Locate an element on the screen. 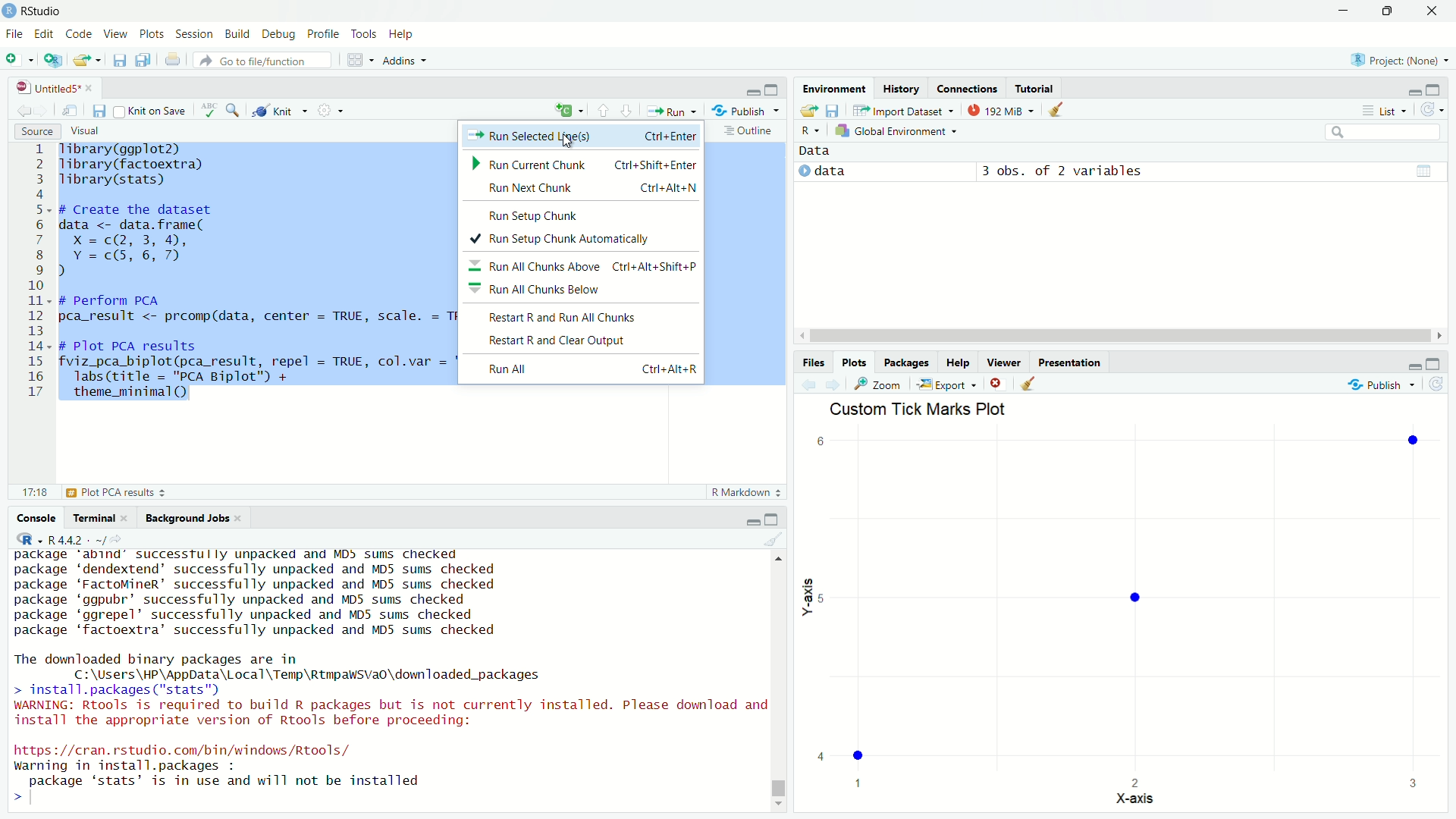  Tools is located at coordinates (365, 35).